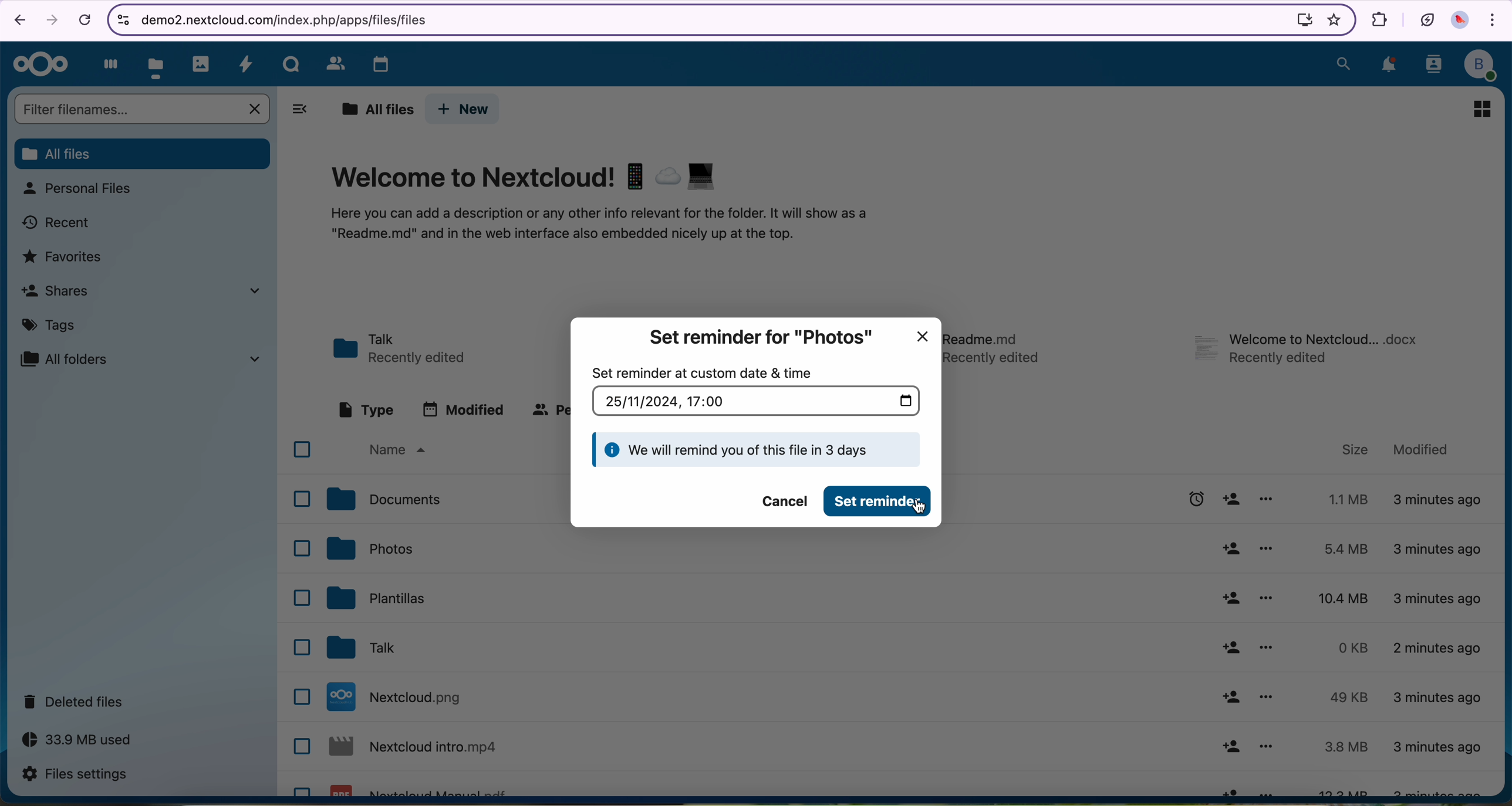 Image resolution: width=1512 pixels, height=806 pixels. Describe the element at coordinates (39, 65) in the screenshot. I see `Nextcloud logo` at that location.